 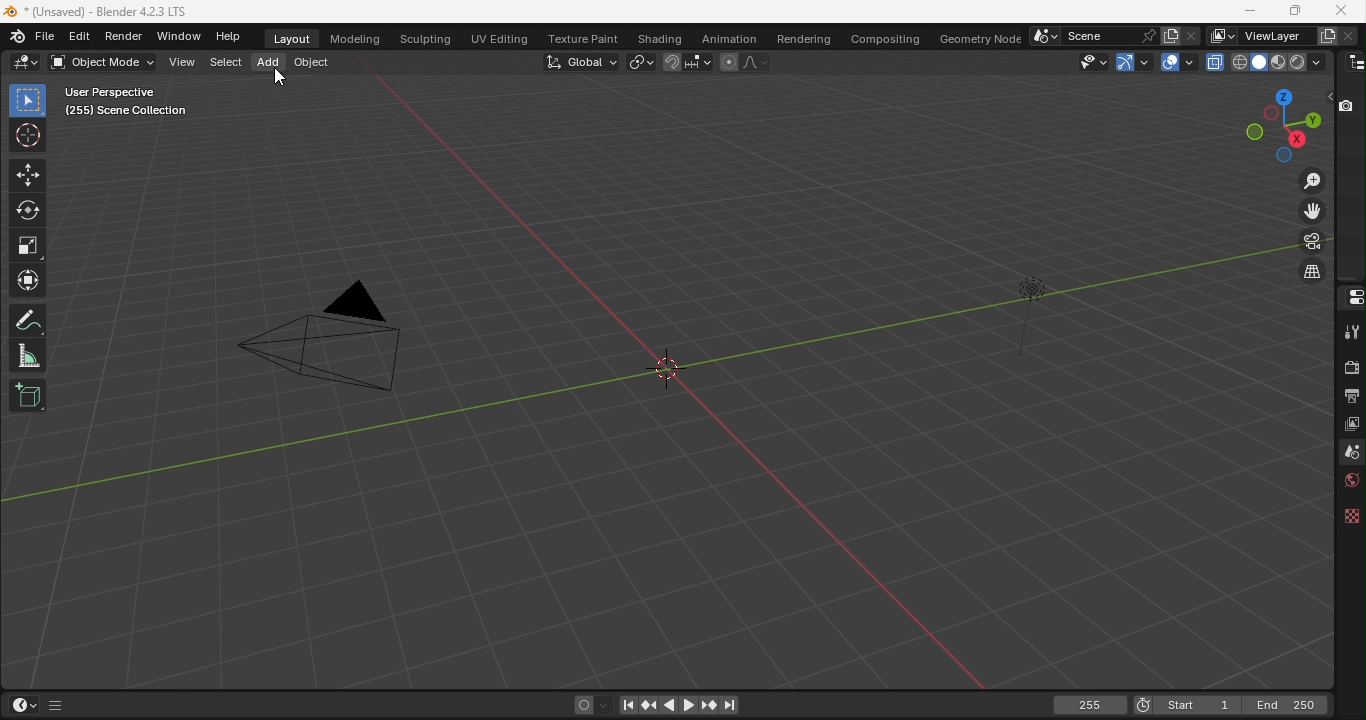 I want to click on Transforming pivot point, so click(x=640, y=61).